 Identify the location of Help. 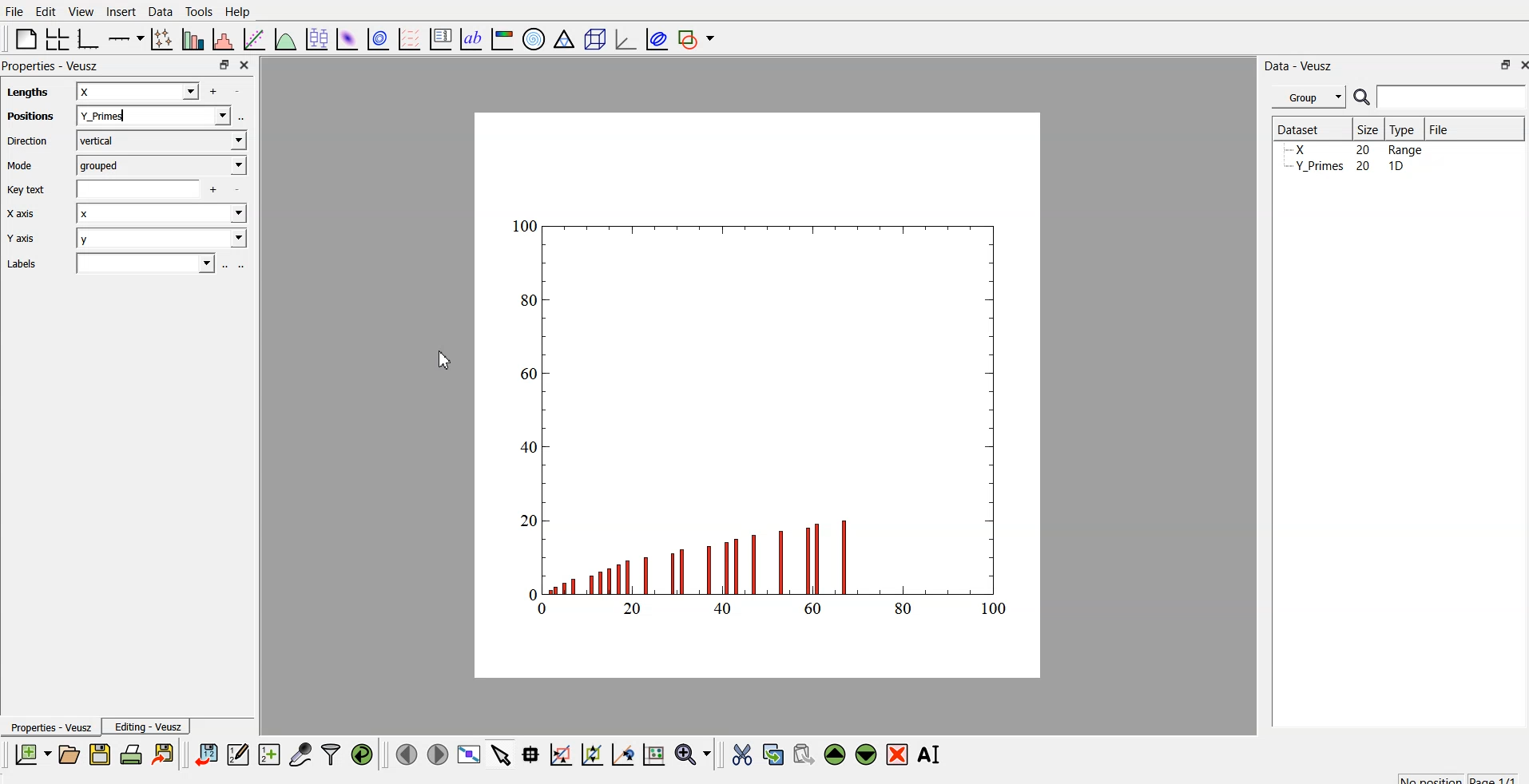
(241, 11).